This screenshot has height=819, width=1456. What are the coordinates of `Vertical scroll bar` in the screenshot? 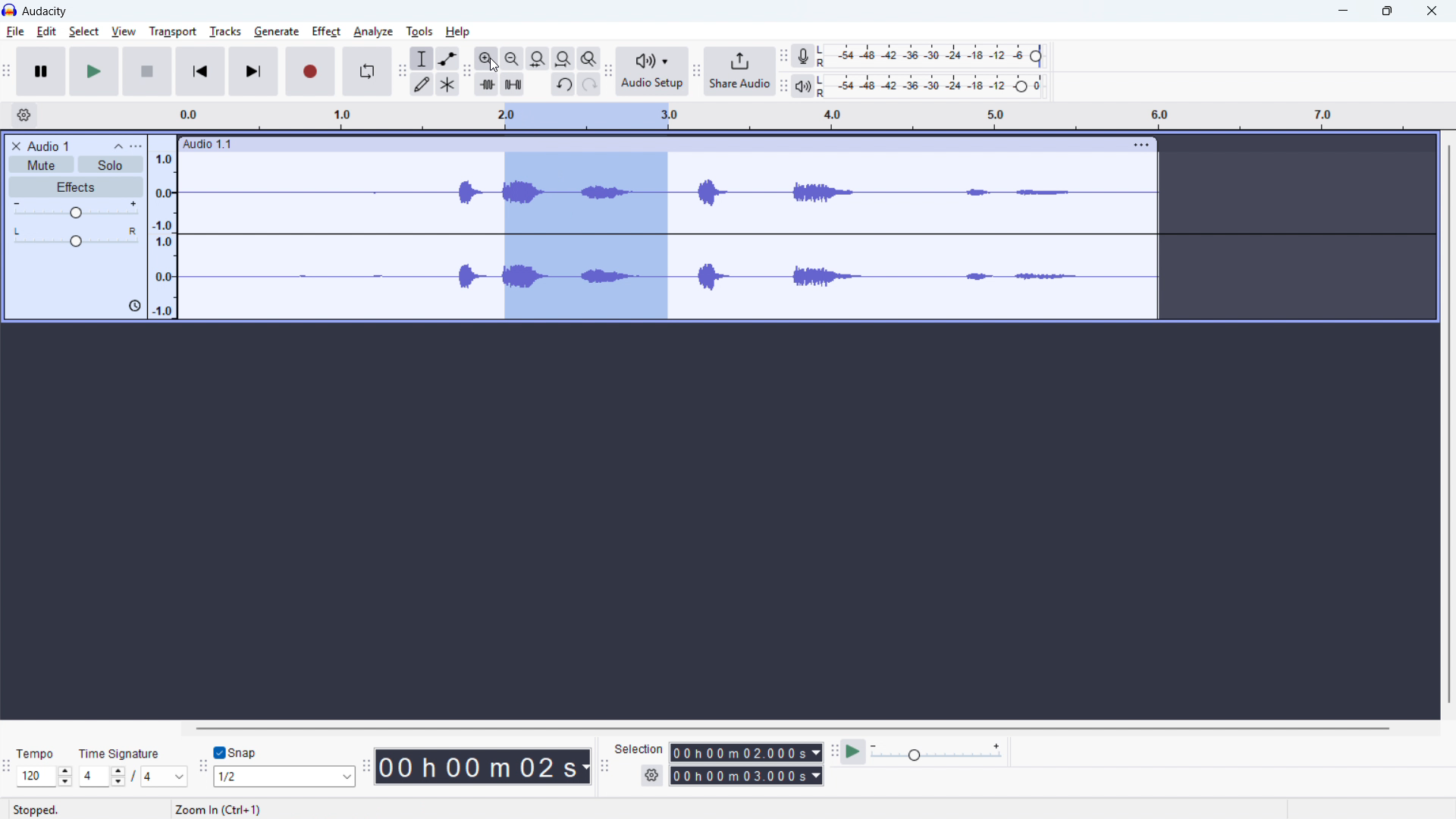 It's located at (1447, 435).